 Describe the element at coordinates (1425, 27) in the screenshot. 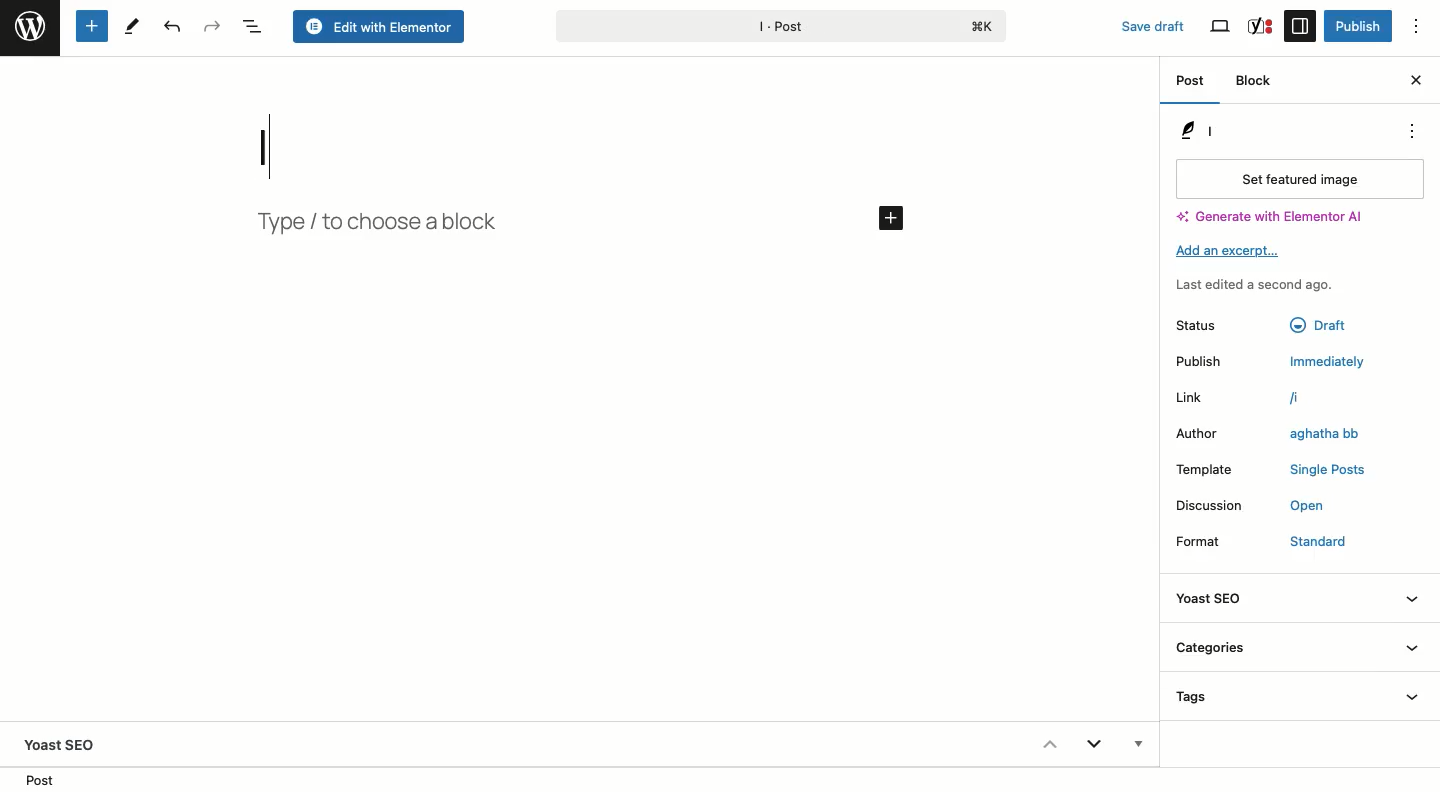

I see `Options` at that location.